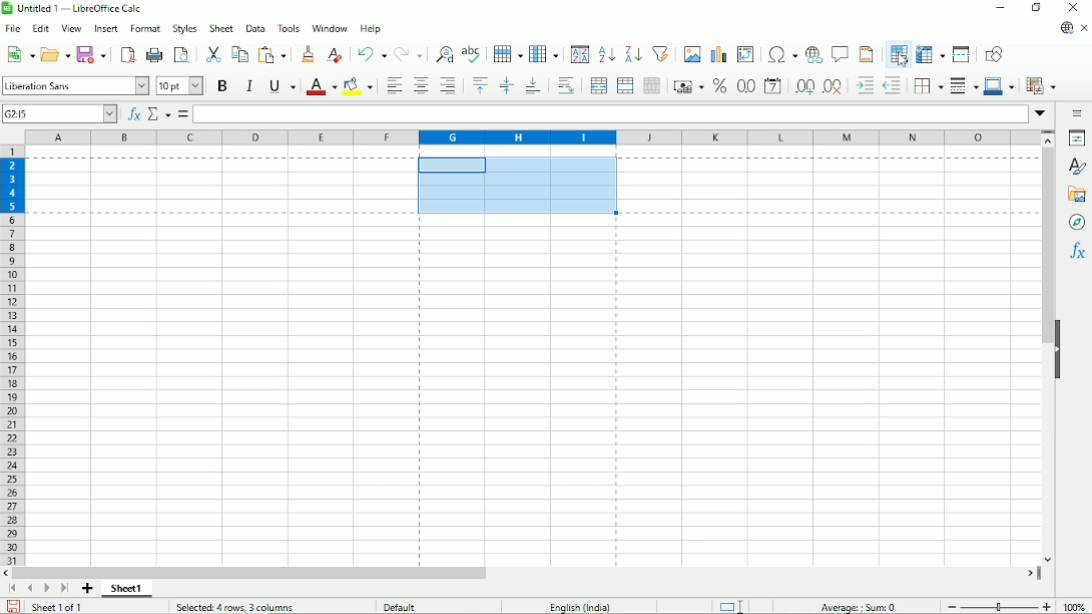 The width and height of the screenshot is (1092, 614). Describe the element at coordinates (833, 88) in the screenshot. I see `Delete decimal place` at that location.